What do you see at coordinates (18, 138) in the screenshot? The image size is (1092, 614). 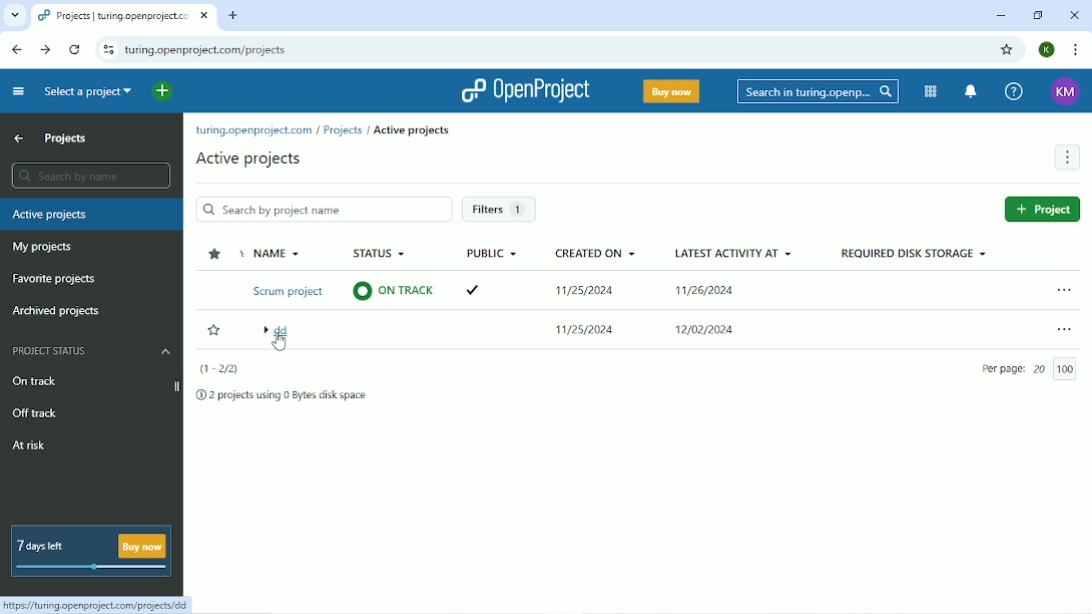 I see `Up` at bounding box center [18, 138].